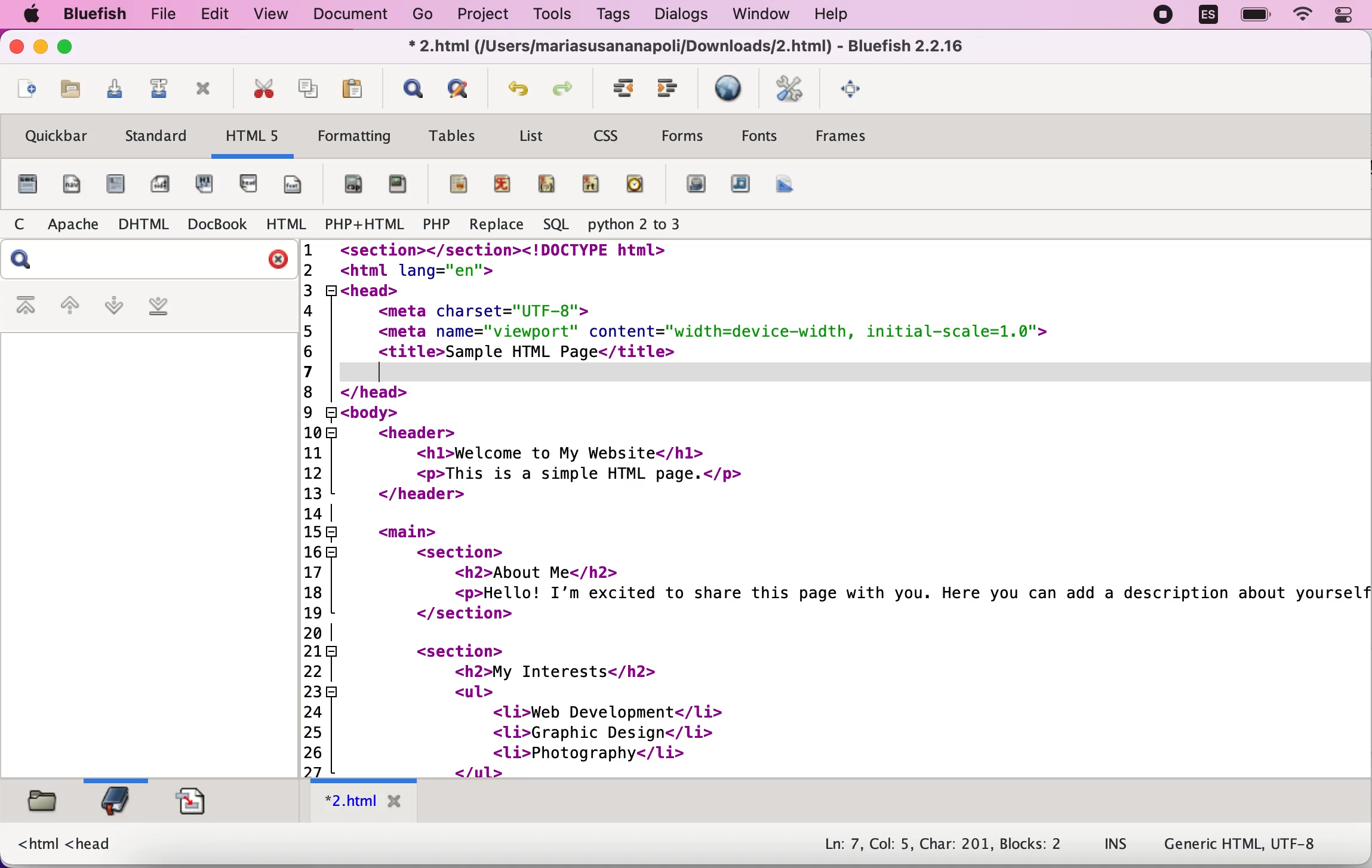 The width and height of the screenshot is (1372, 868). What do you see at coordinates (299, 183) in the screenshot?
I see `footer` at bounding box center [299, 183].